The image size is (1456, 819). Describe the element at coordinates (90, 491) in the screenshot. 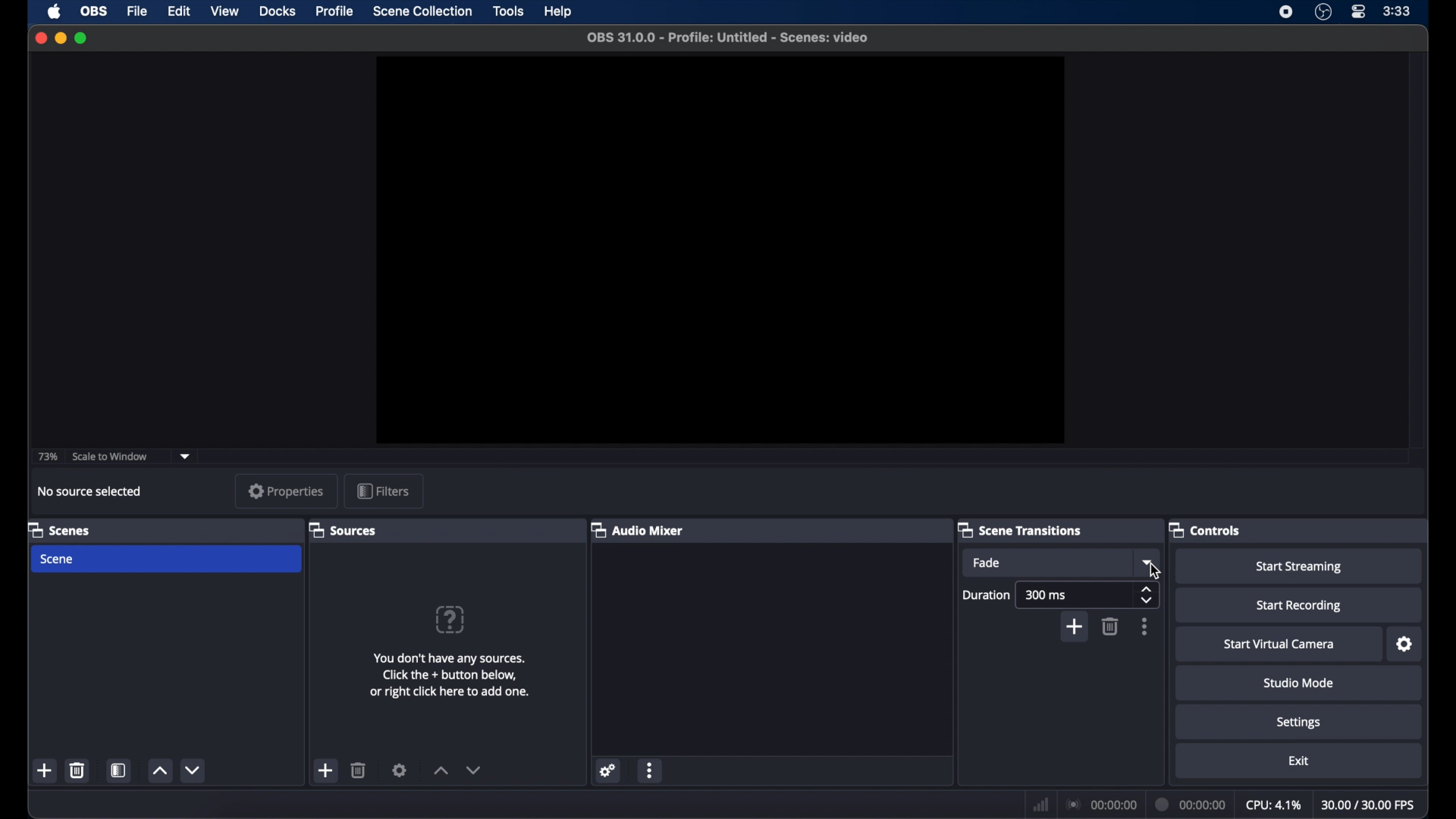

I see `no source selected` at that location.